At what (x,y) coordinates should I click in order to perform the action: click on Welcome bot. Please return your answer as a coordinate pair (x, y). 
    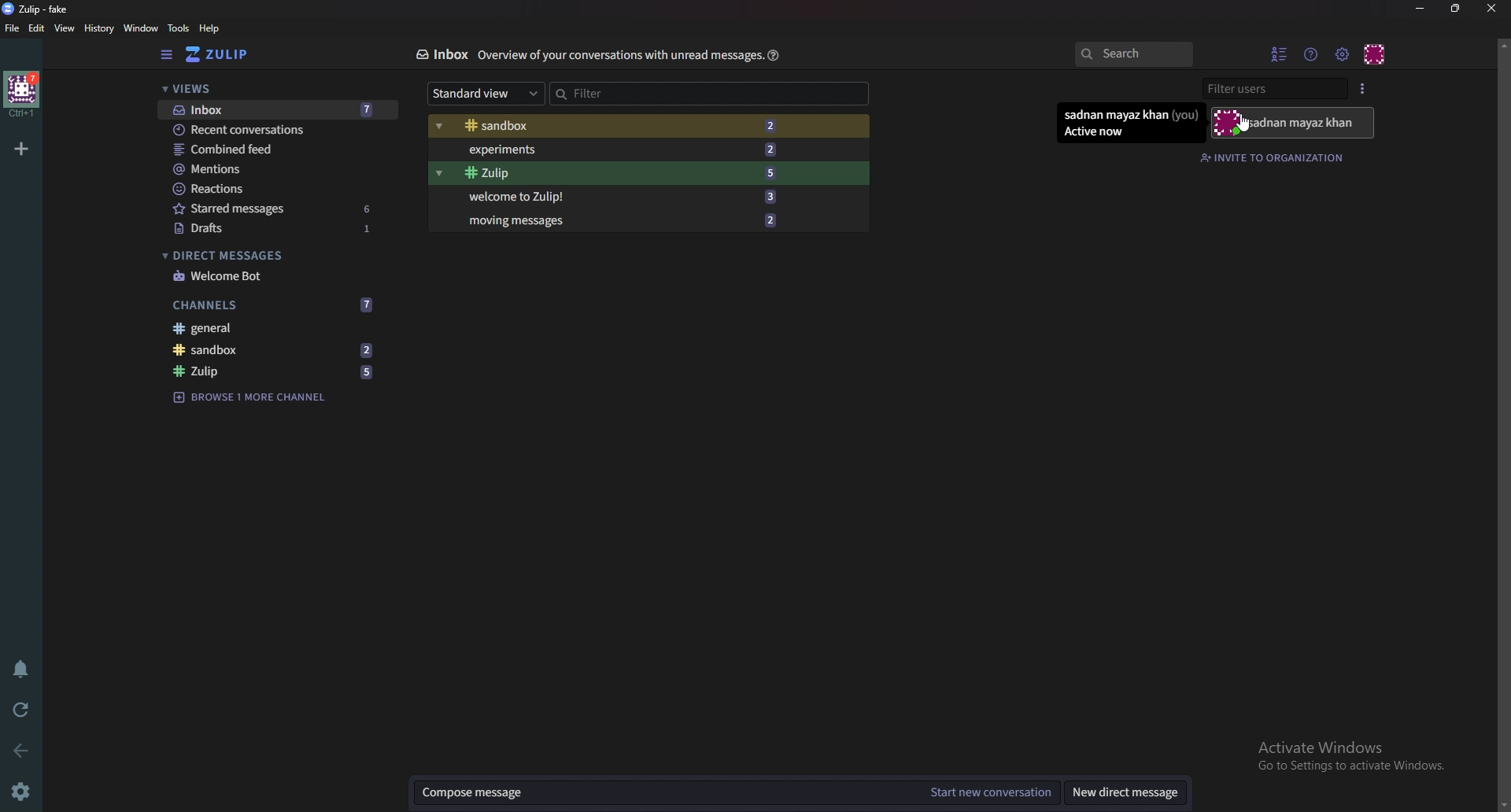
    Looking at the image, I should click on (272, 276).